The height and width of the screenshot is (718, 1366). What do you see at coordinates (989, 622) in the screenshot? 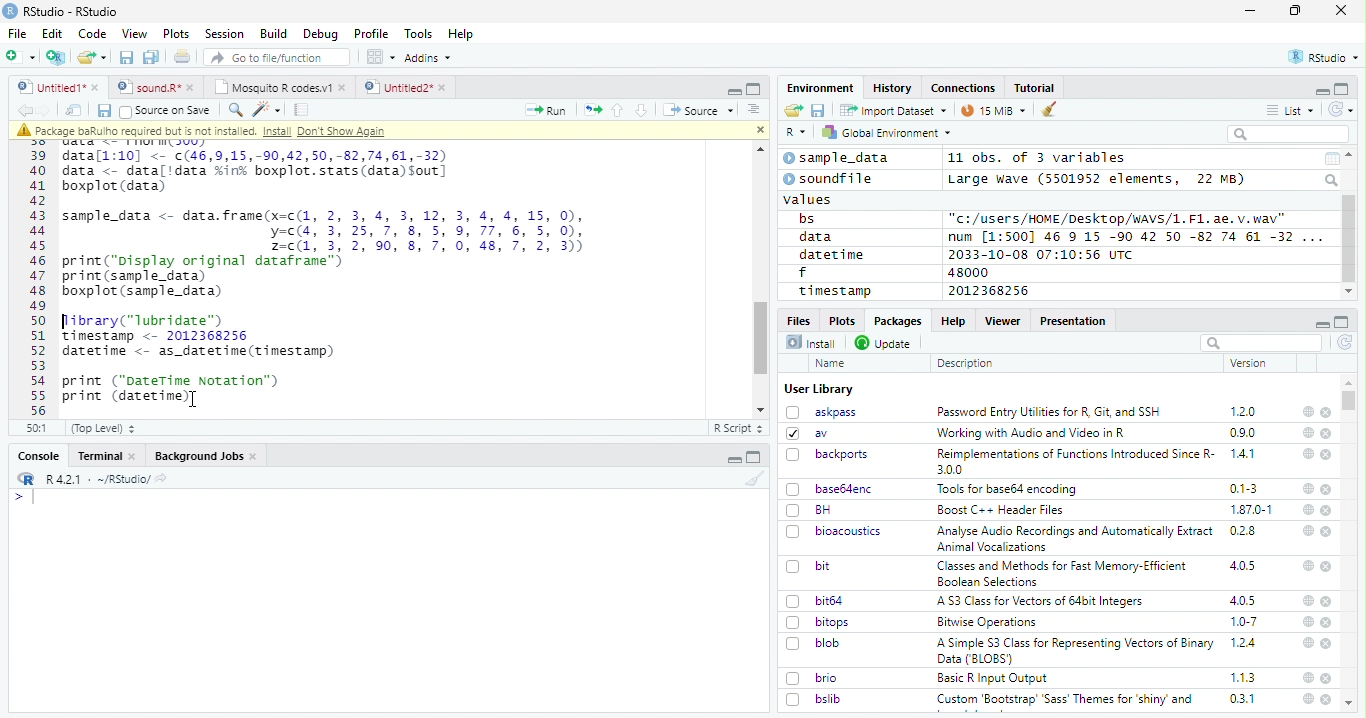
I see `Bitwise Operations` at bounding box center [989, 622].